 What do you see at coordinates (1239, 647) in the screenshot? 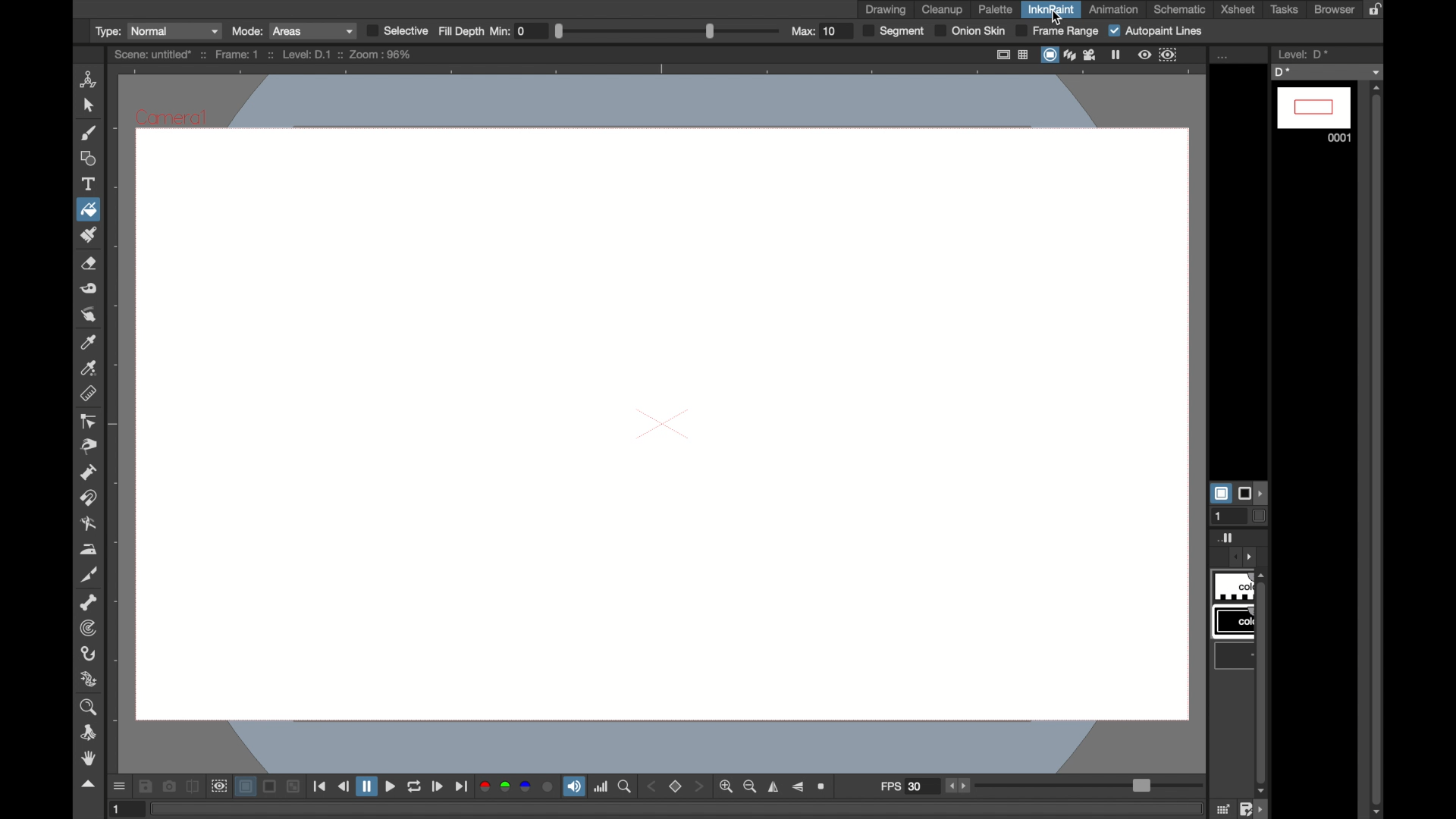
I see `obscure tab` at bounding box center [1239, 647].